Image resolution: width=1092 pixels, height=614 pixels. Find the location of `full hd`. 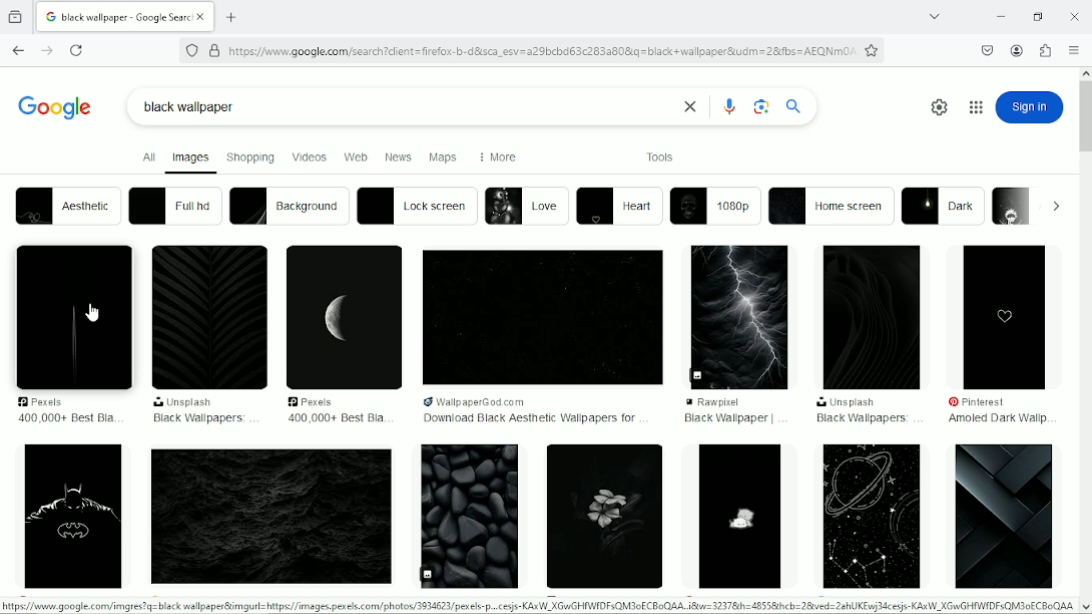

full hd is located at coordinates (174, 205).